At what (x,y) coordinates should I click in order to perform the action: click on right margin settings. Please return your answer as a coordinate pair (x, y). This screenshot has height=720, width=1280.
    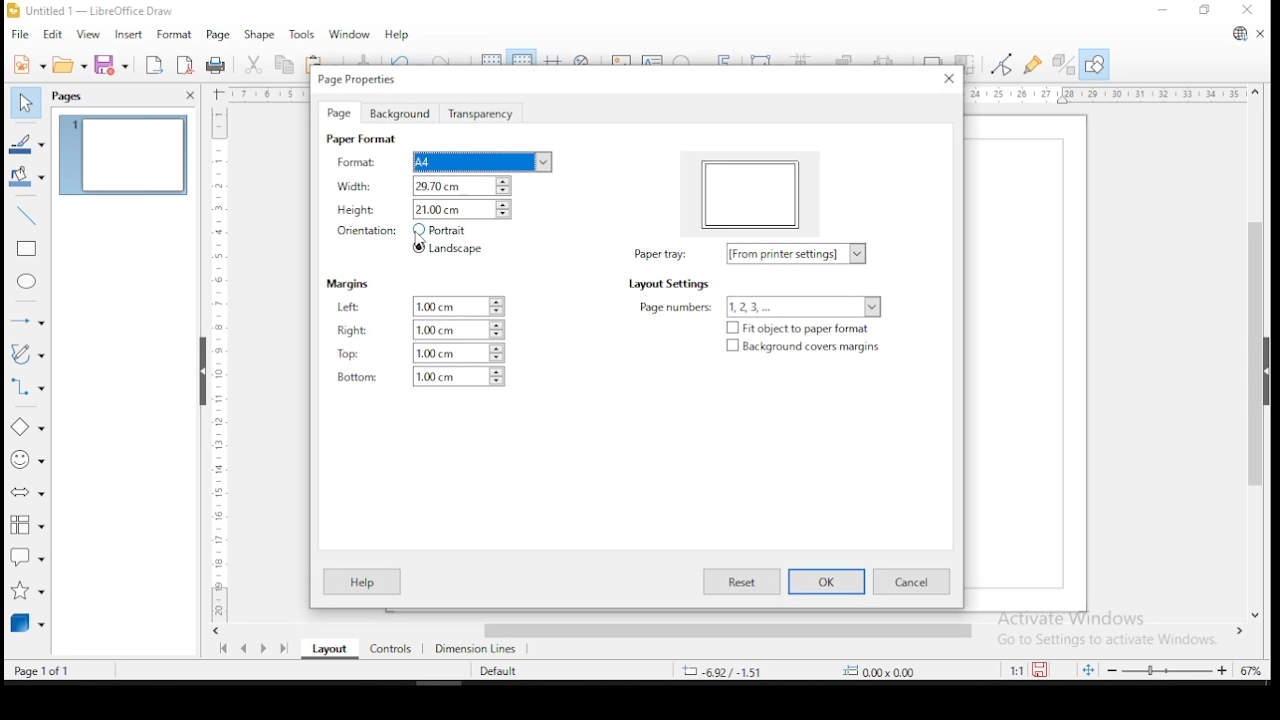
    Looking at the image, I should click on (421, 330).